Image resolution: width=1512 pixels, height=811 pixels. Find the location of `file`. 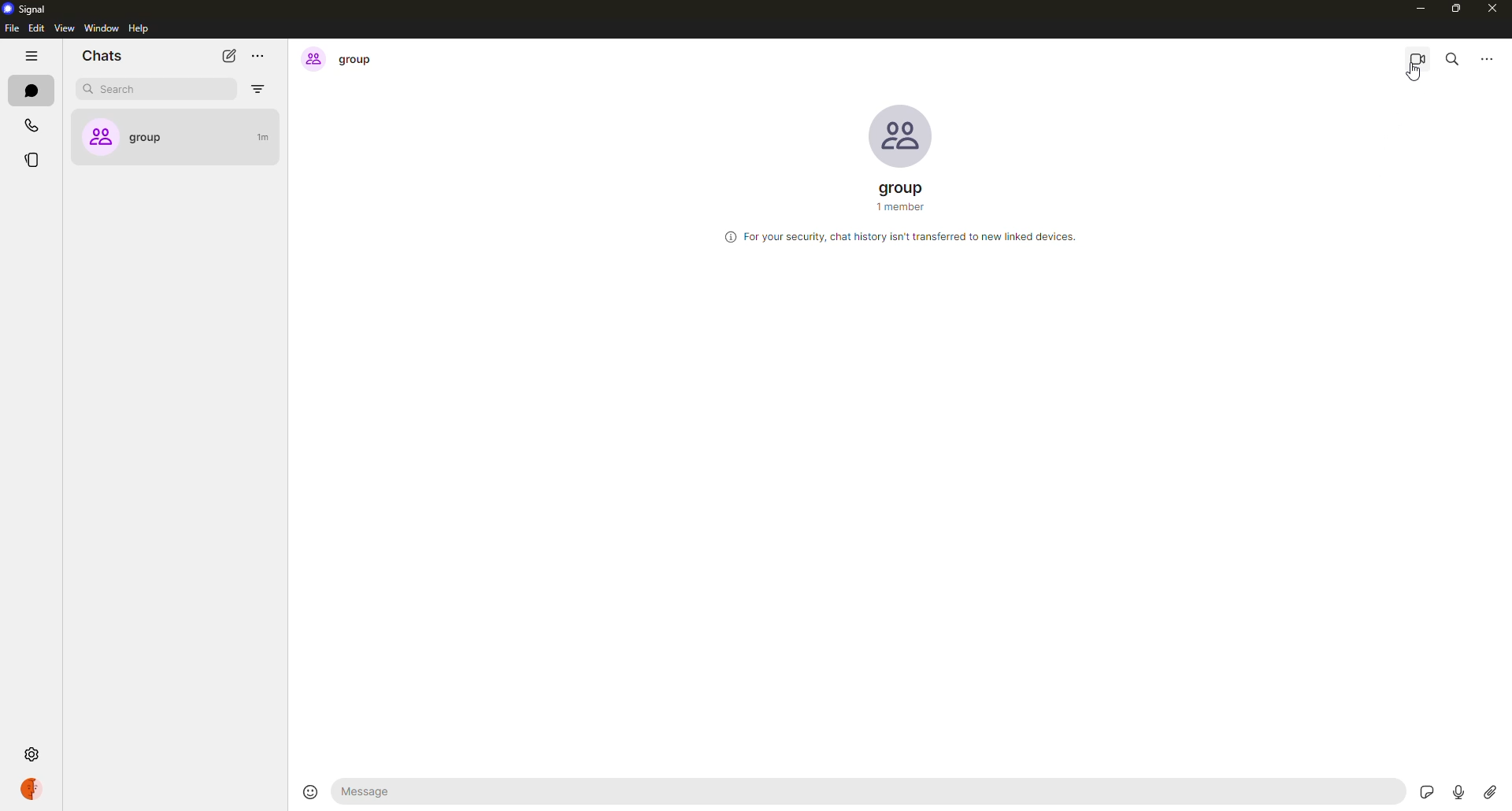

file is located at coordinates (12, 30).